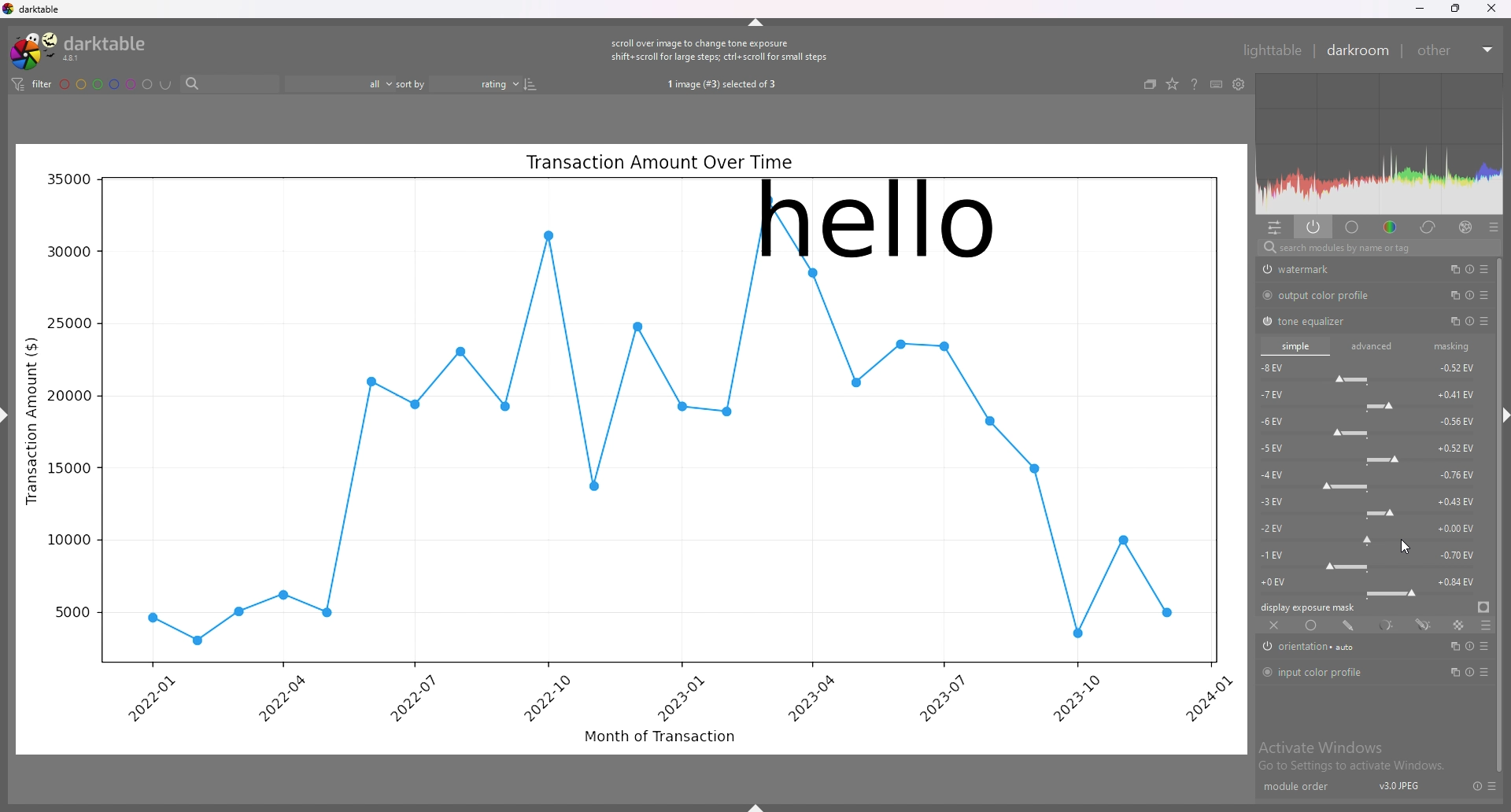  What do you see at coordinates (877, 220) in the screenshot?
I see `hello` at bounding box center [877, 220].